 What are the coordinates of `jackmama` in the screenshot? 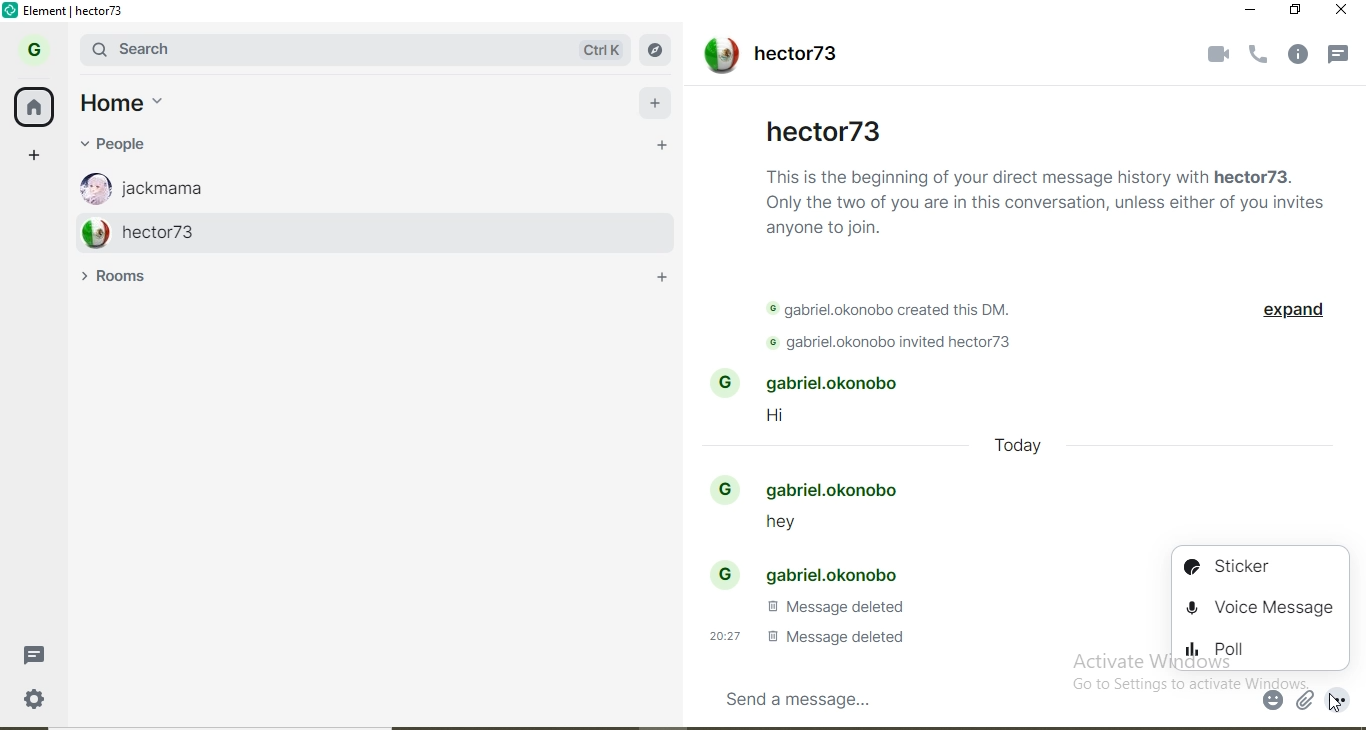 It's located at (344, 184).